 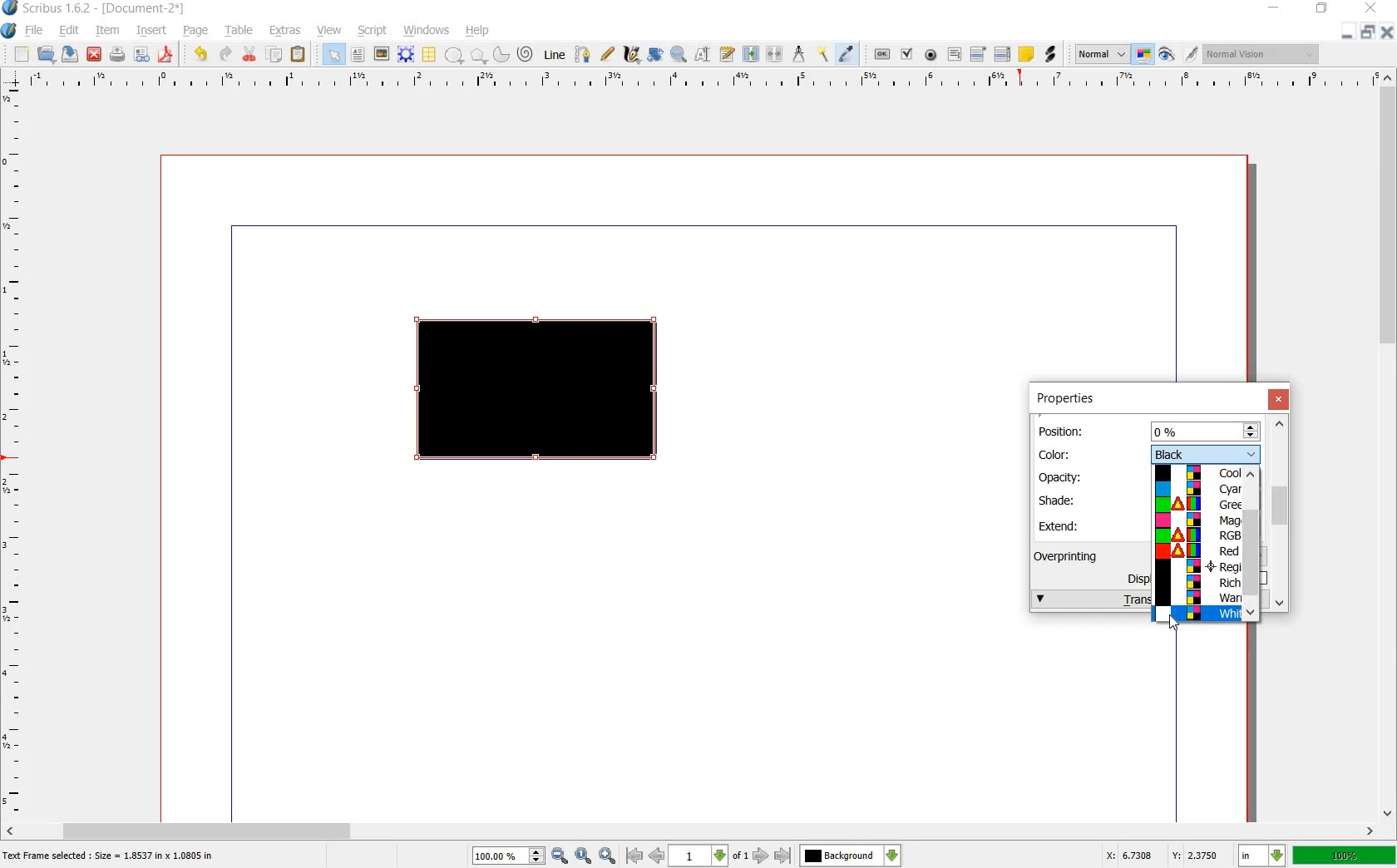 I want to click on logo, so click(x=11, y=9).